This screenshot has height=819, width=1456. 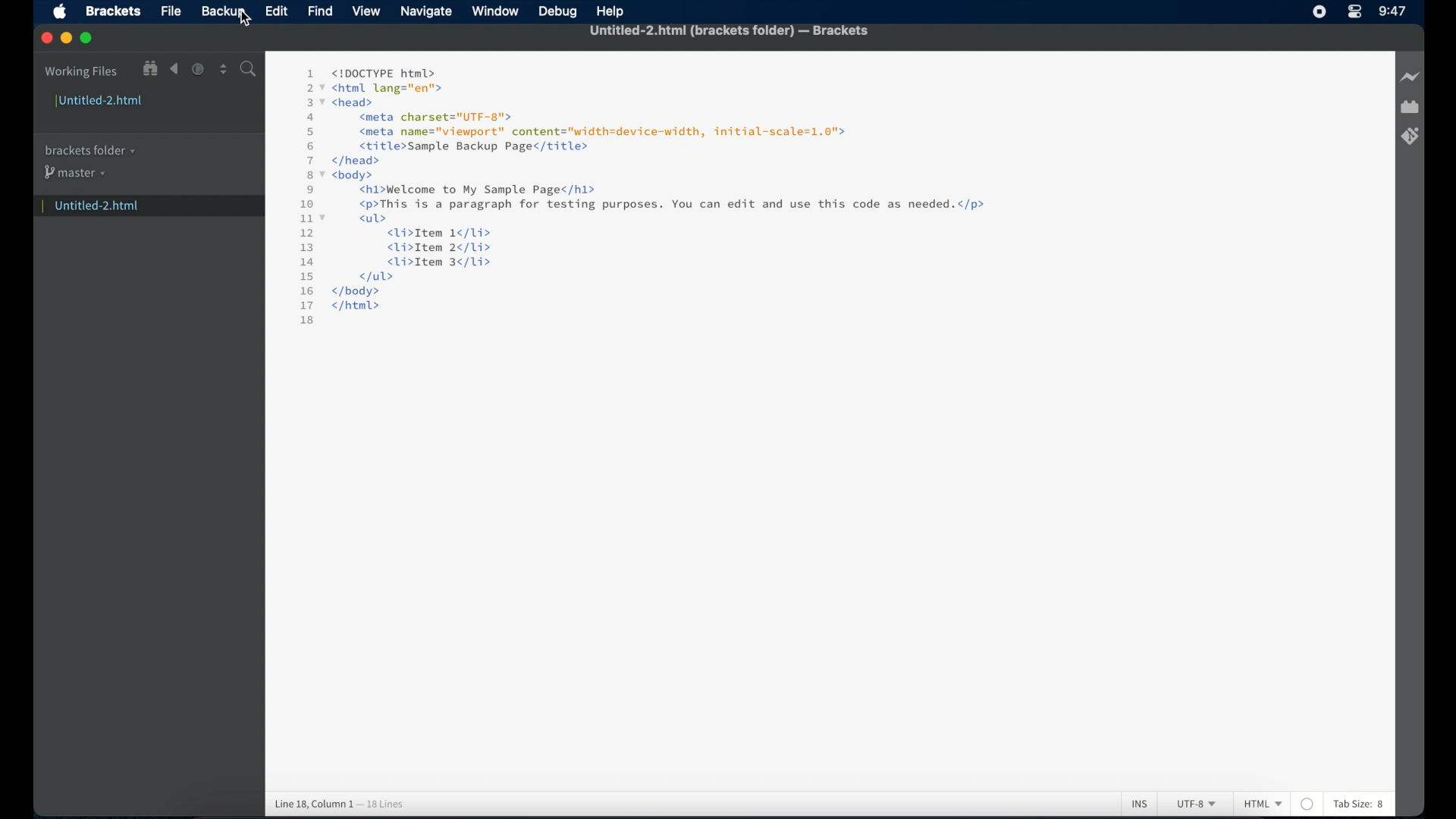 I want to click on window, so click(x=495, y=11).